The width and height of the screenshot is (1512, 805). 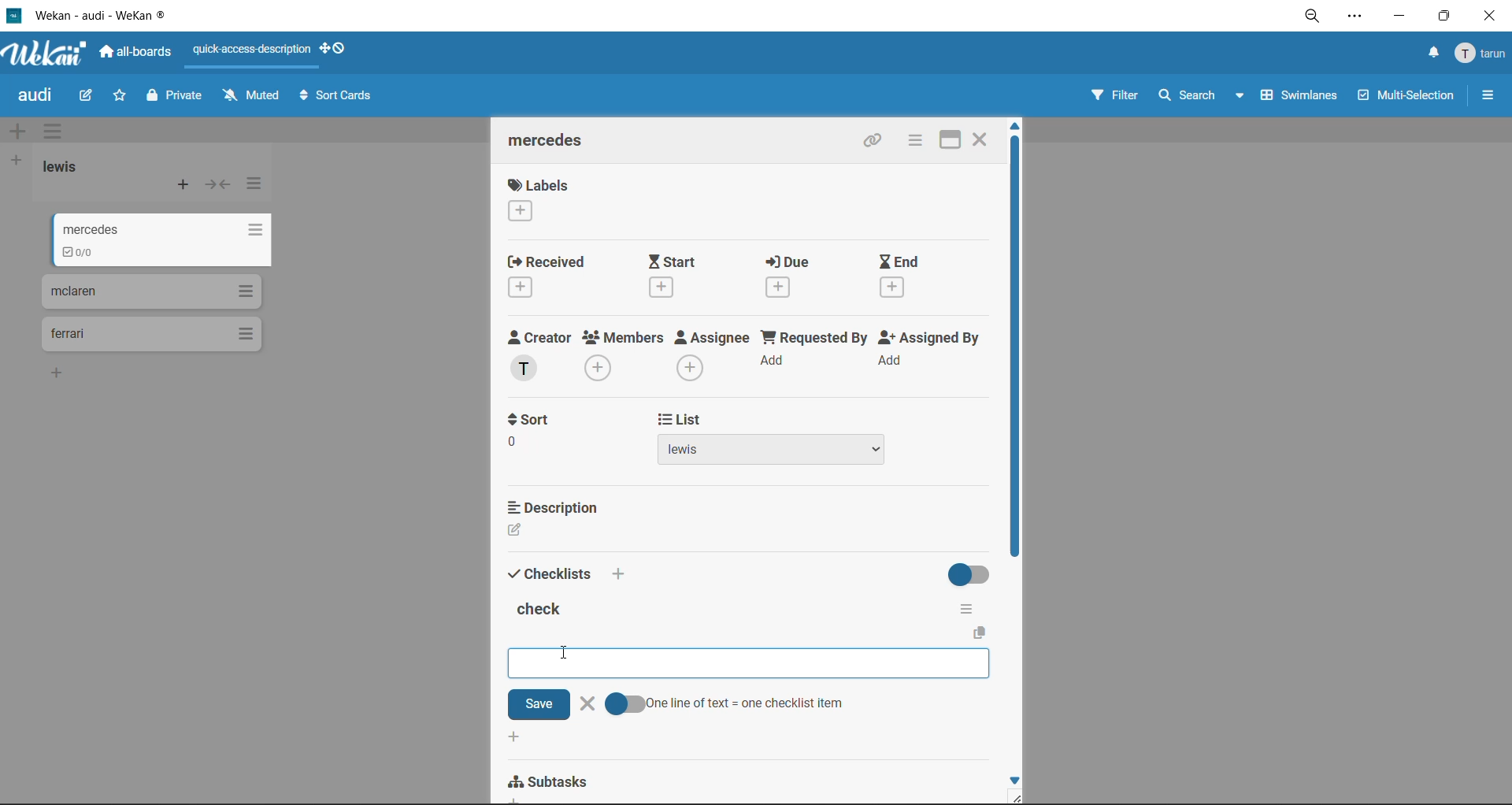 I want to click on card title, so click(x=553, y=143).